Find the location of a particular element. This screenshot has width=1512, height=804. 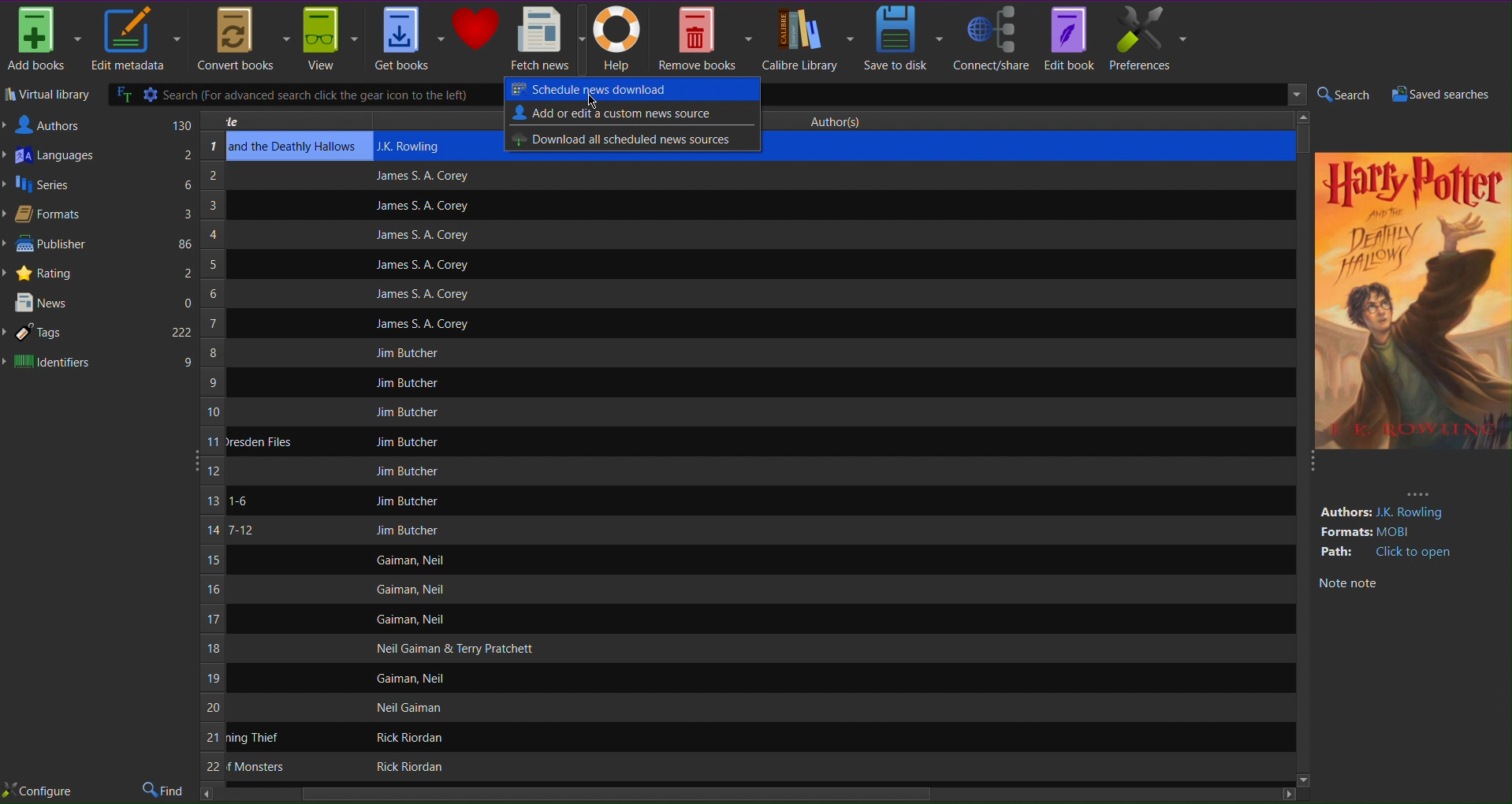

Jim Butcher is located at coordinates (408, 530).